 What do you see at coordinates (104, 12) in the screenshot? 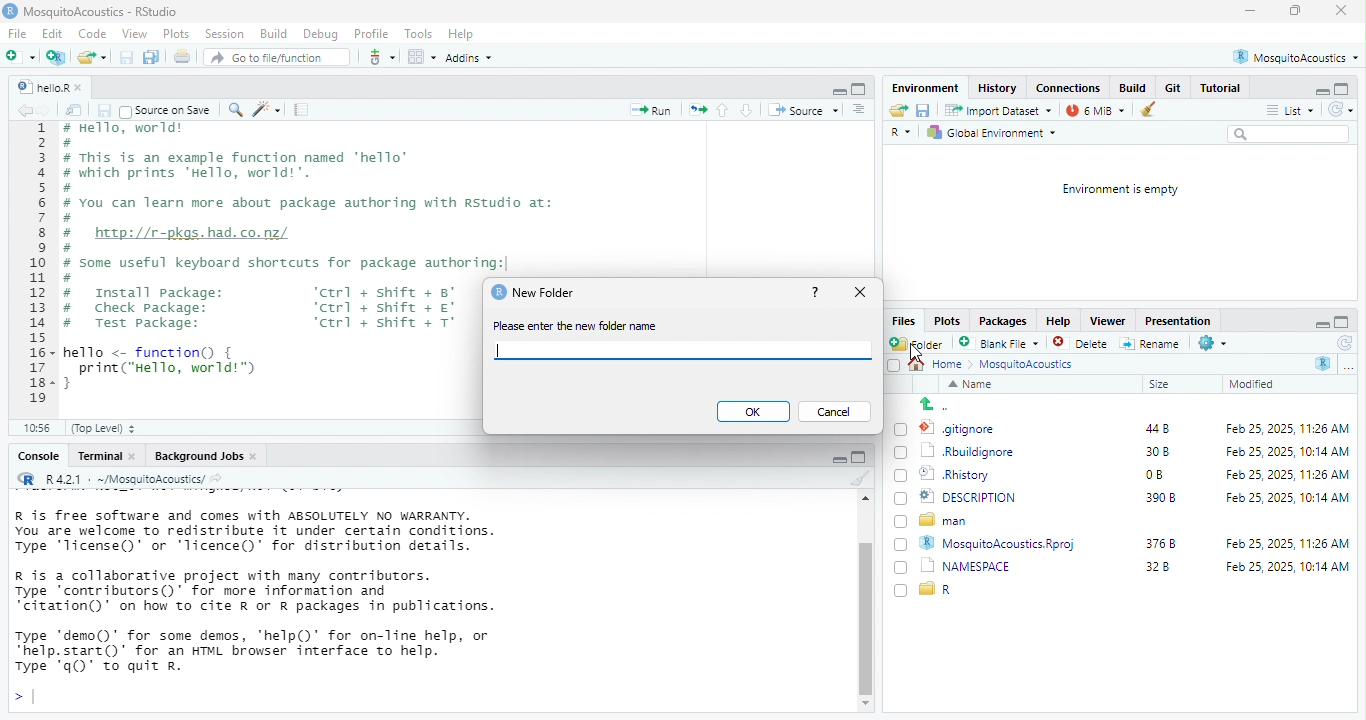
I see `MosquitoAcoustics - RStudio` at bounding box center [104, 12].